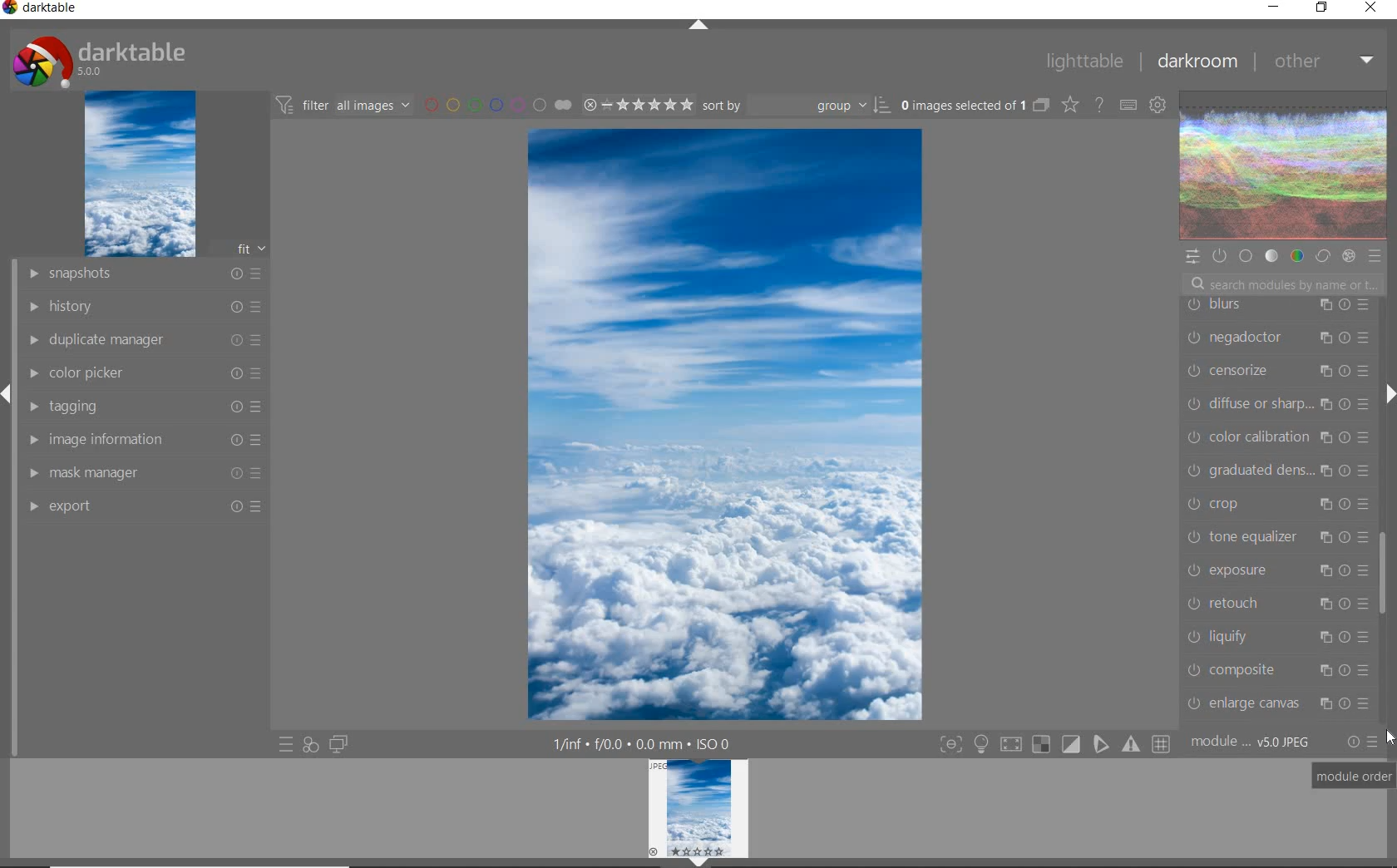  I want to click on retouch, so click(1276, 602).